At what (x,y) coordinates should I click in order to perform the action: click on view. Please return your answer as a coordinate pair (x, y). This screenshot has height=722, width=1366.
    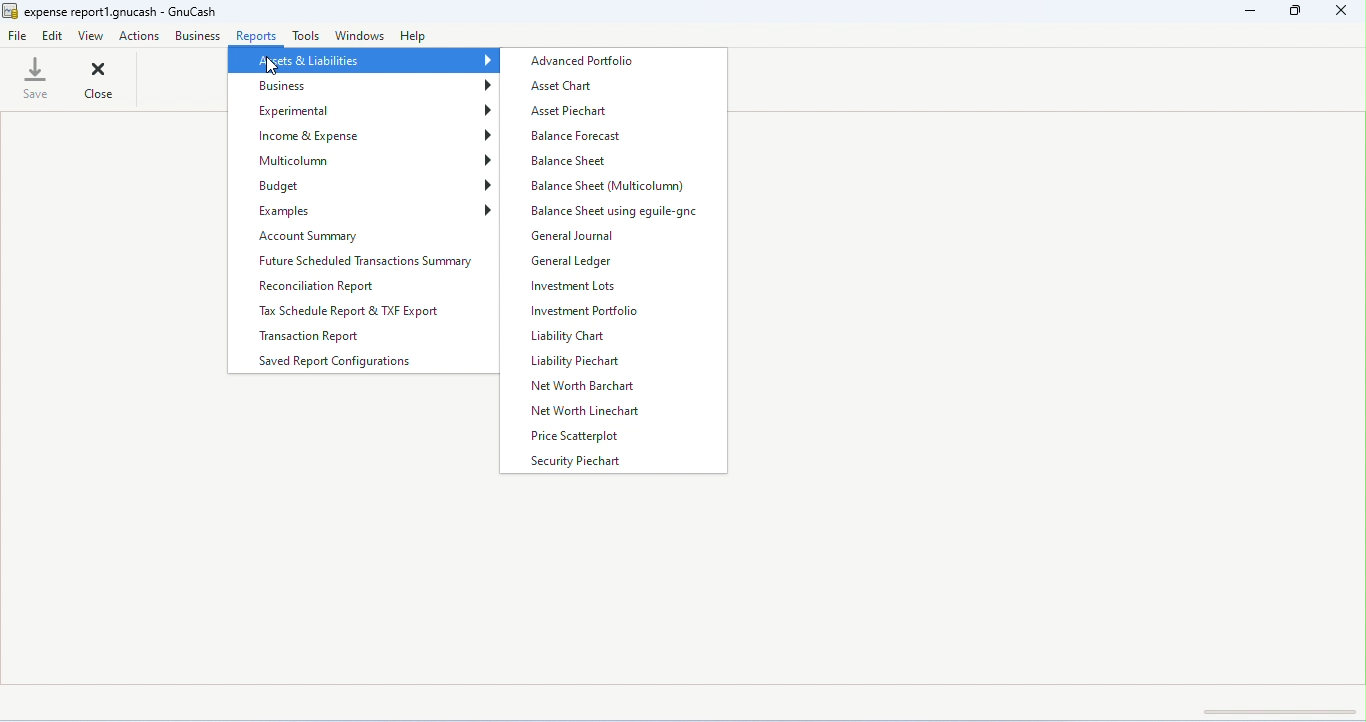
    Looking at the image, I should click on (92, 35).